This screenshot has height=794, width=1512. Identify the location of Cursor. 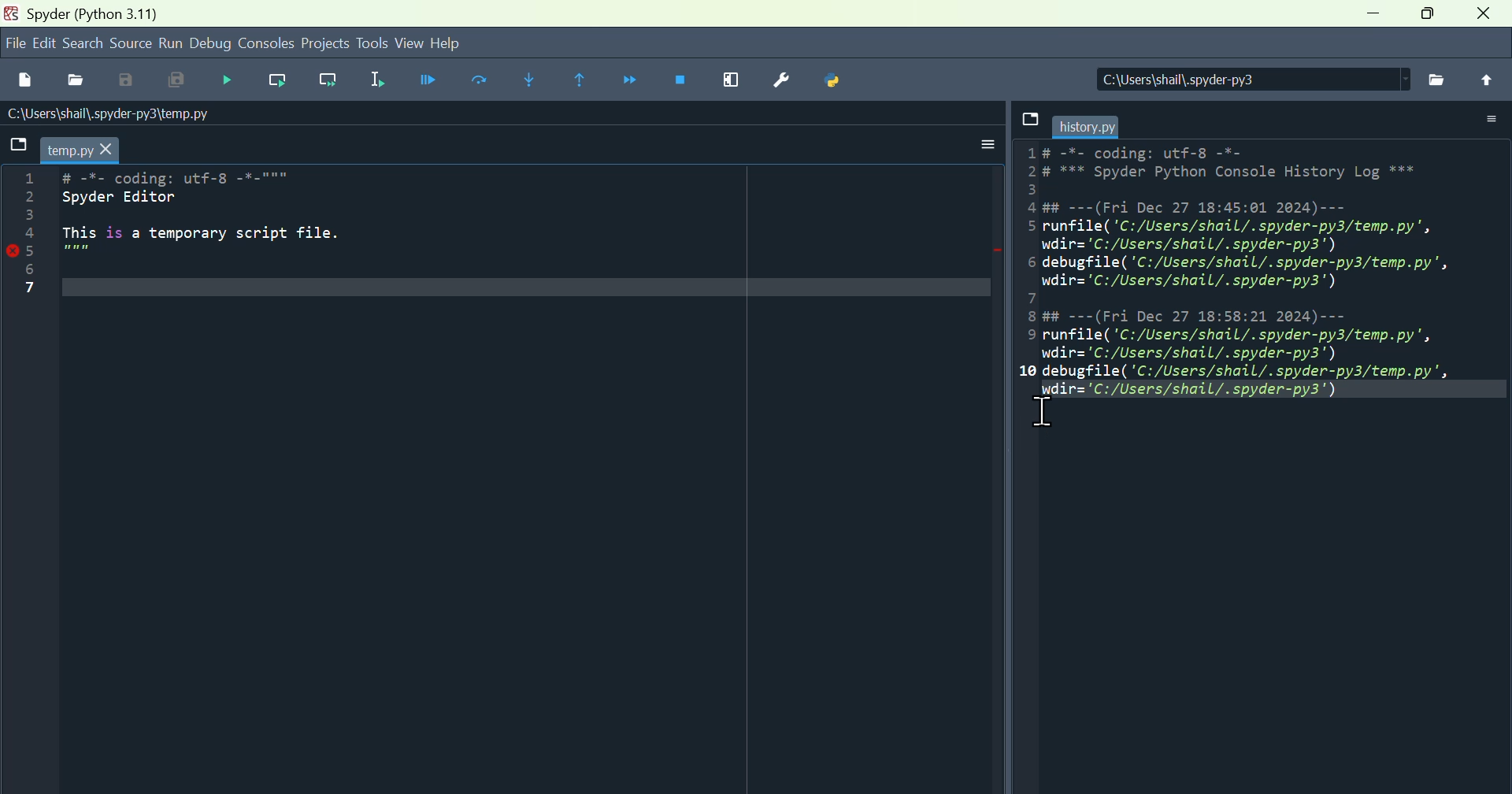
(1041, 414).